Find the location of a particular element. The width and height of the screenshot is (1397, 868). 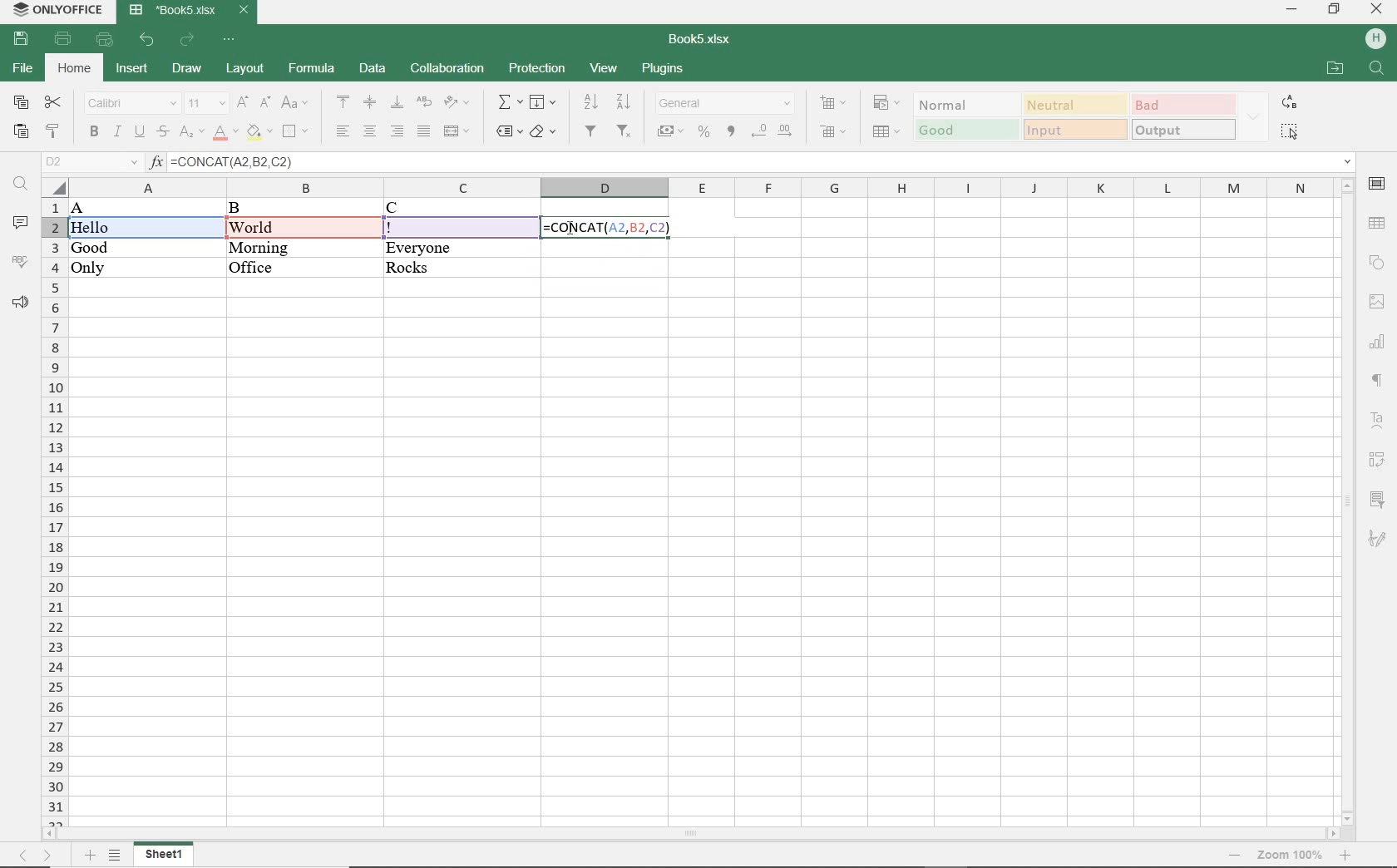

zoom in or zoom out is located at coordinates (1289, 854).